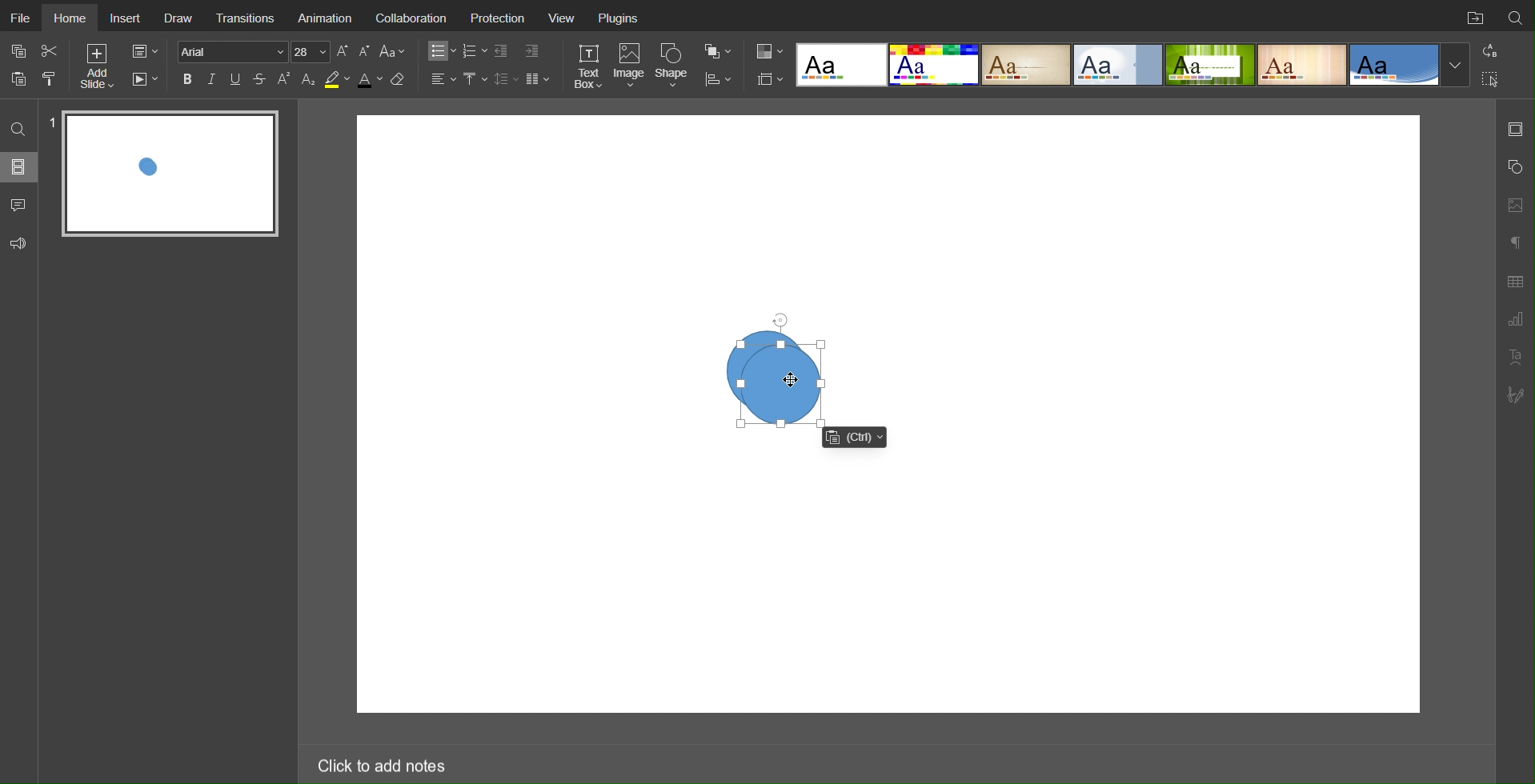 This screenshot has width=1535, height=784. What do you see at coordinates (285, 79) in the screenshot?
I see `Superscript` at bounding box center [285, 79].